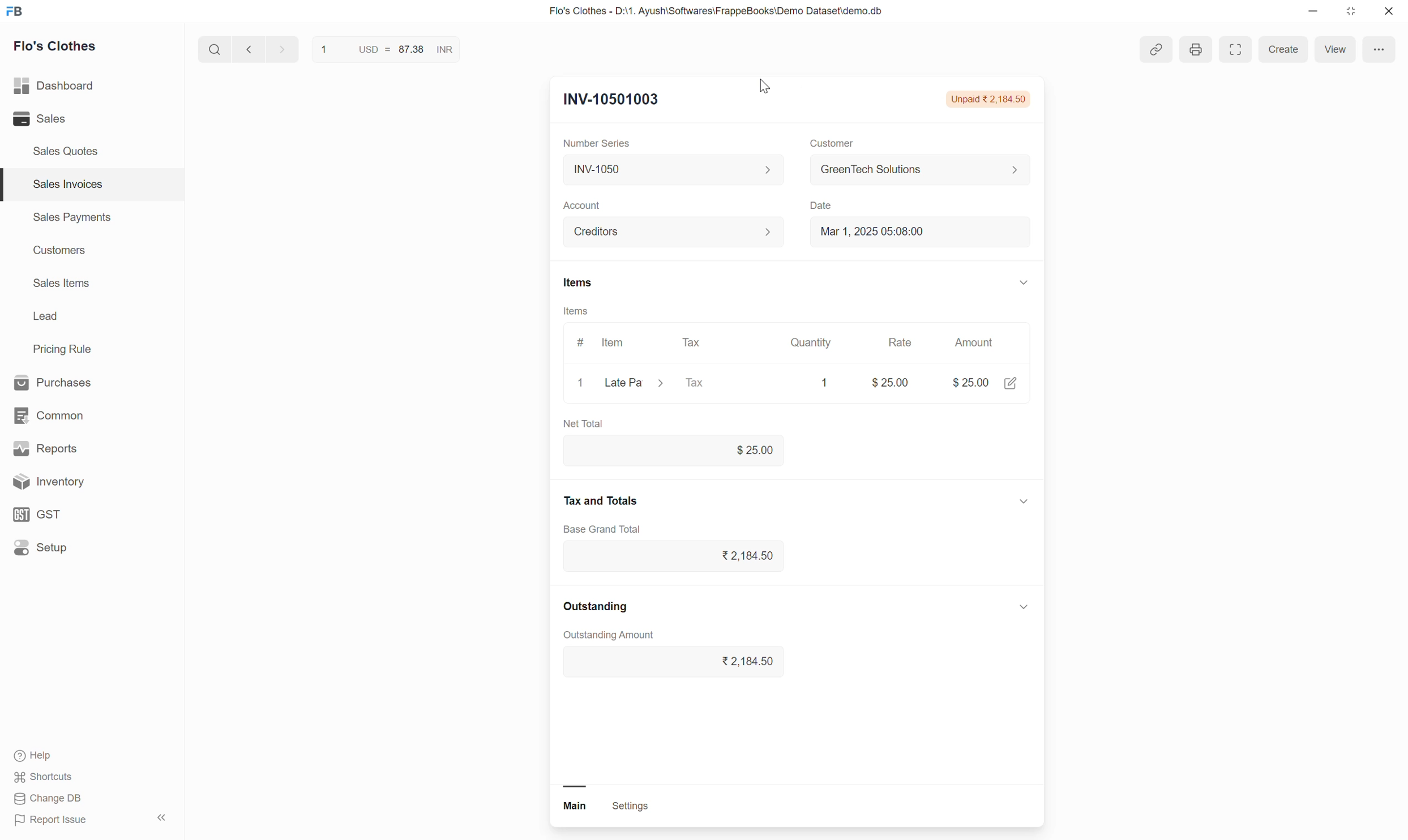 The image size is (1408, 840). I want to click on net total input box, so click(675, 451).